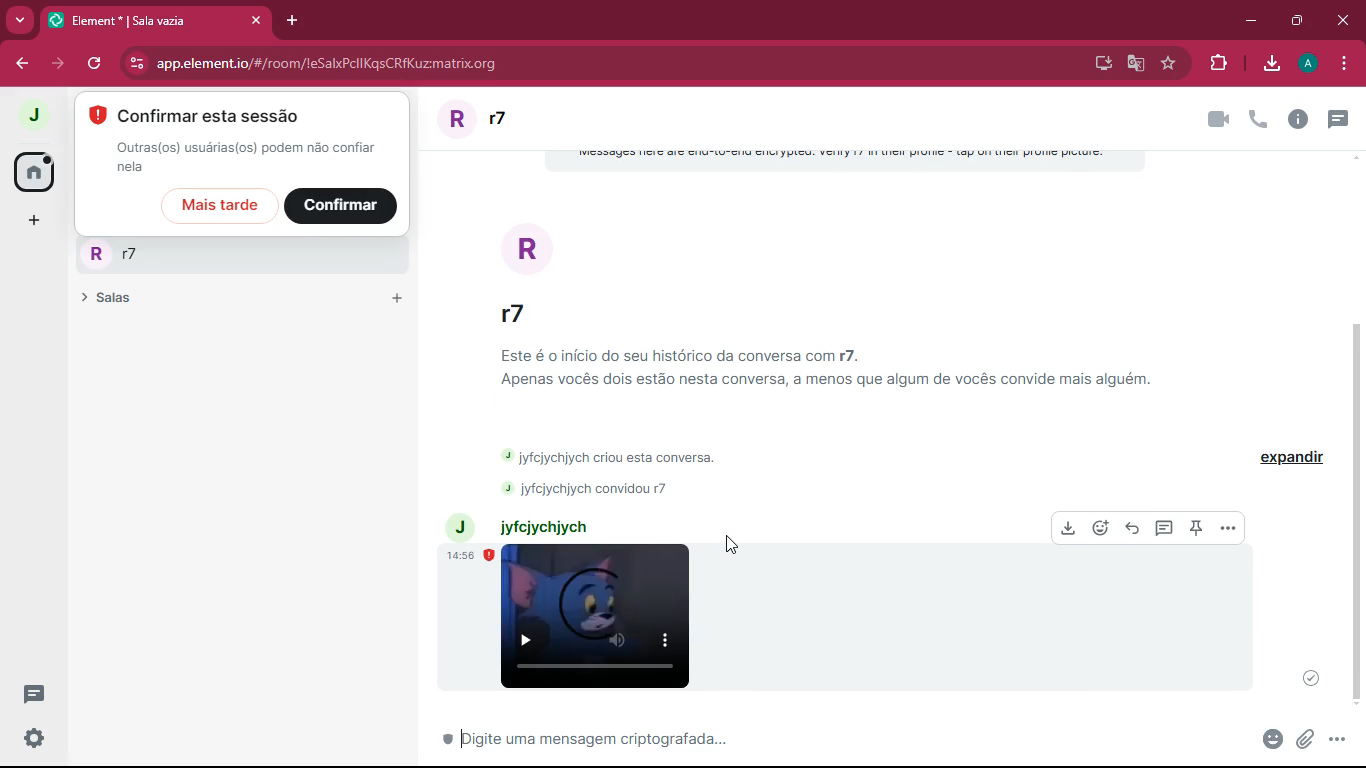  What do you see at coordinates (1197, 528) in the screenshot?
I see `pin` at bounding box center [1197, 528].